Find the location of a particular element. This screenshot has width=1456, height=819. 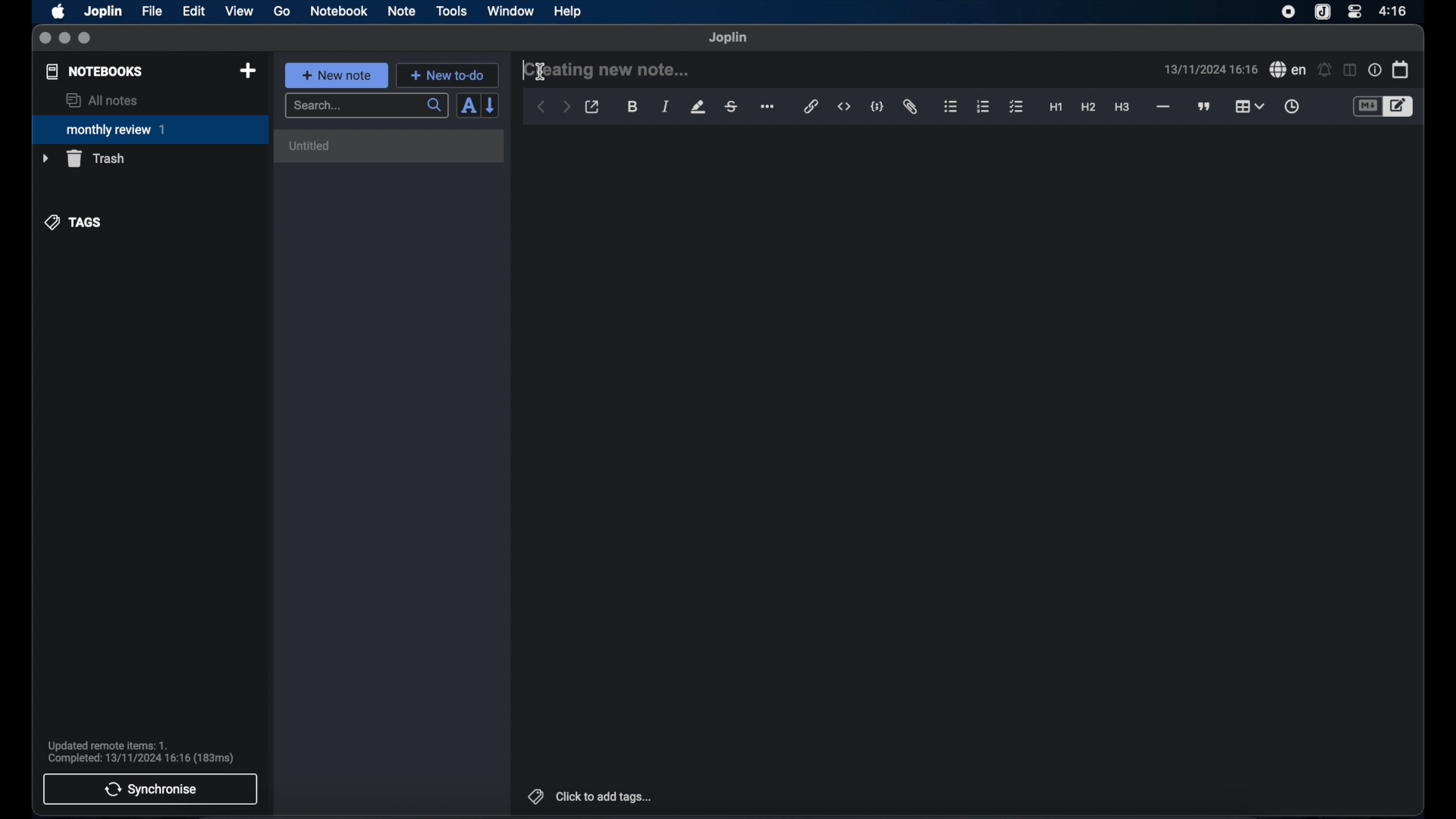

highlight is located at coordinates (698, 107).